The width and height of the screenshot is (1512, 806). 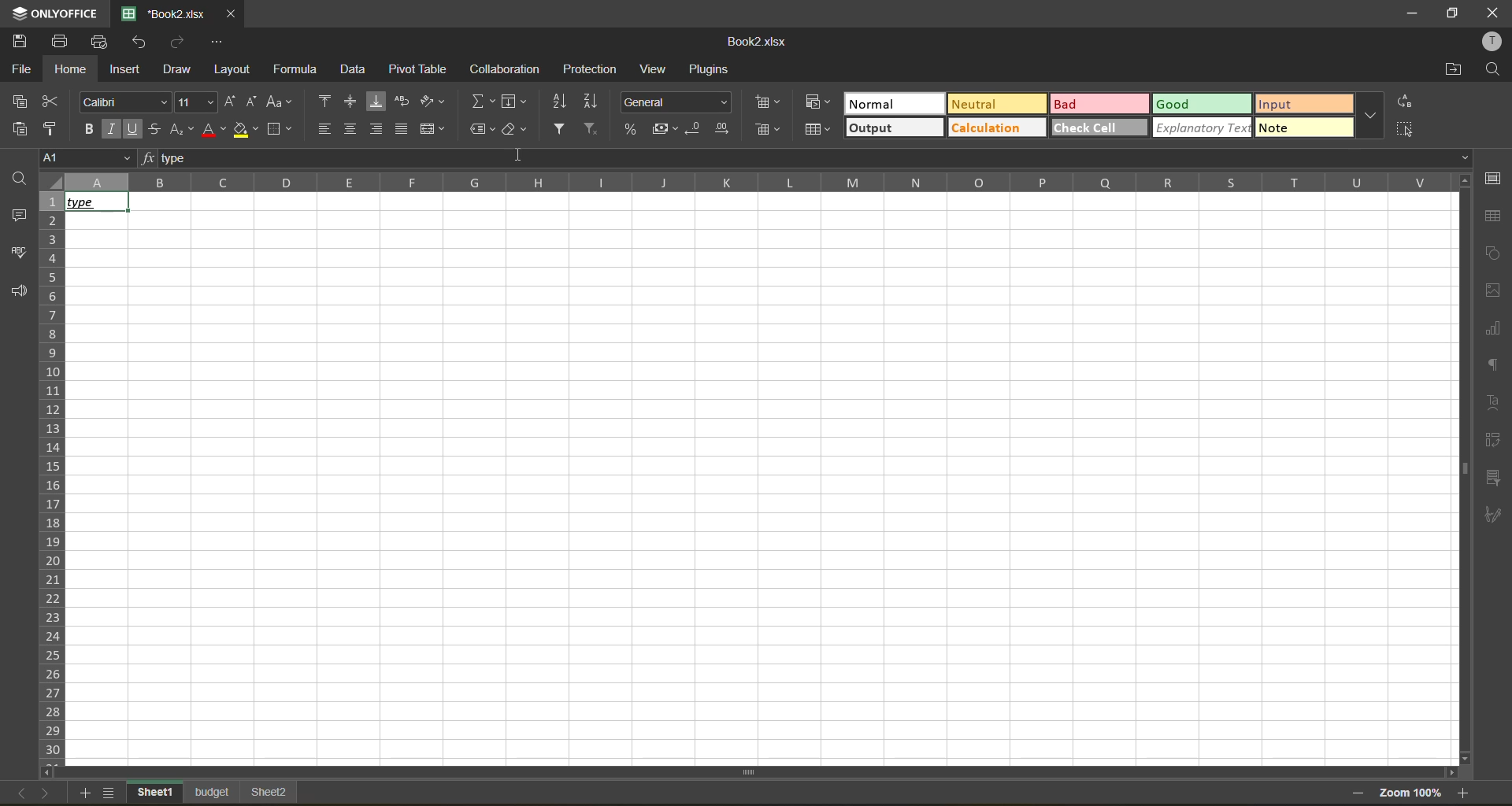 What do you see at coordinates (1493, 216) in the screenshot?
I see `table` at bounding box center [1493, 216].